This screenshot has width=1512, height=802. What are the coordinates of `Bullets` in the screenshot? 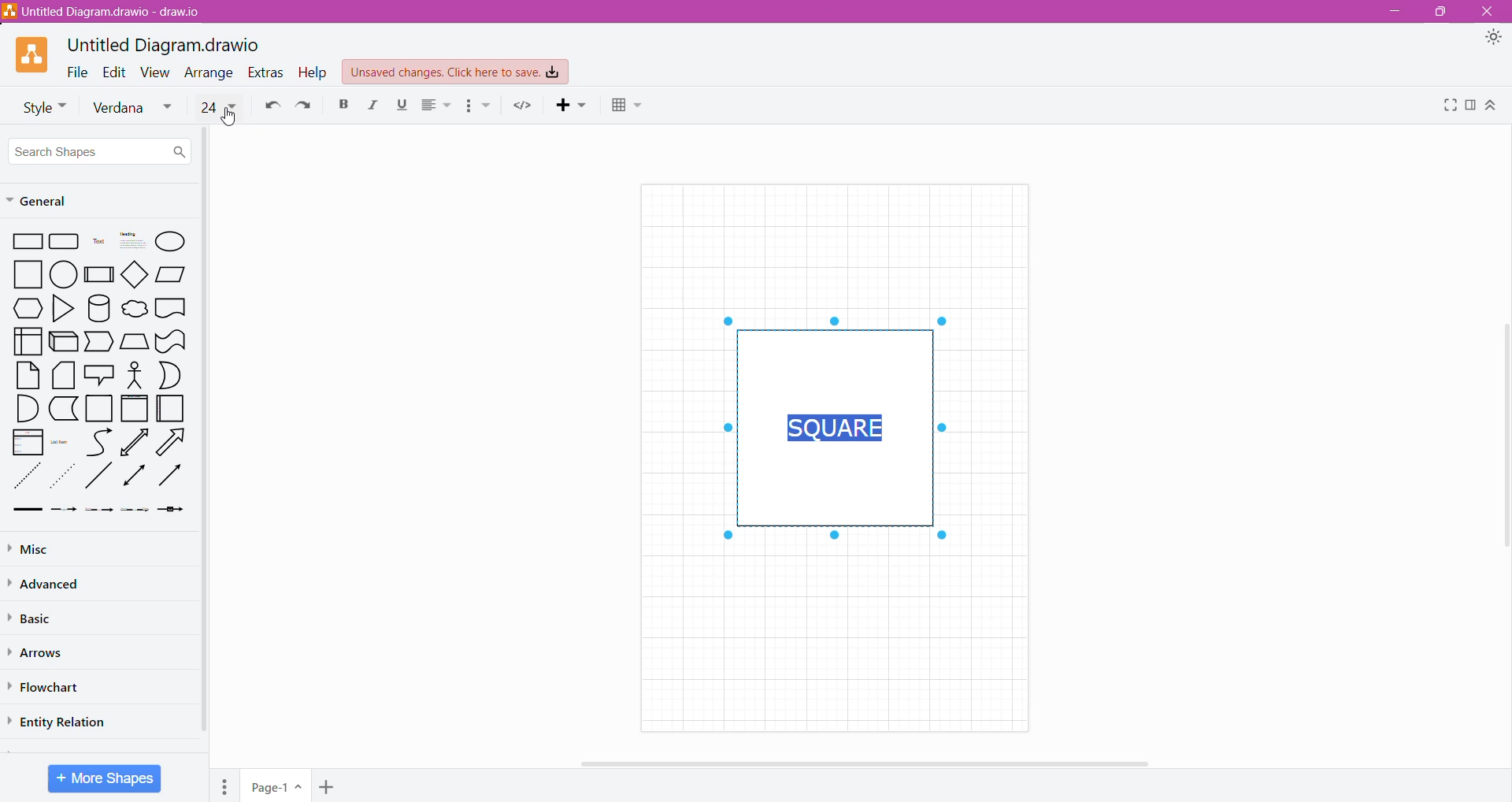 It's located at (479, 106).